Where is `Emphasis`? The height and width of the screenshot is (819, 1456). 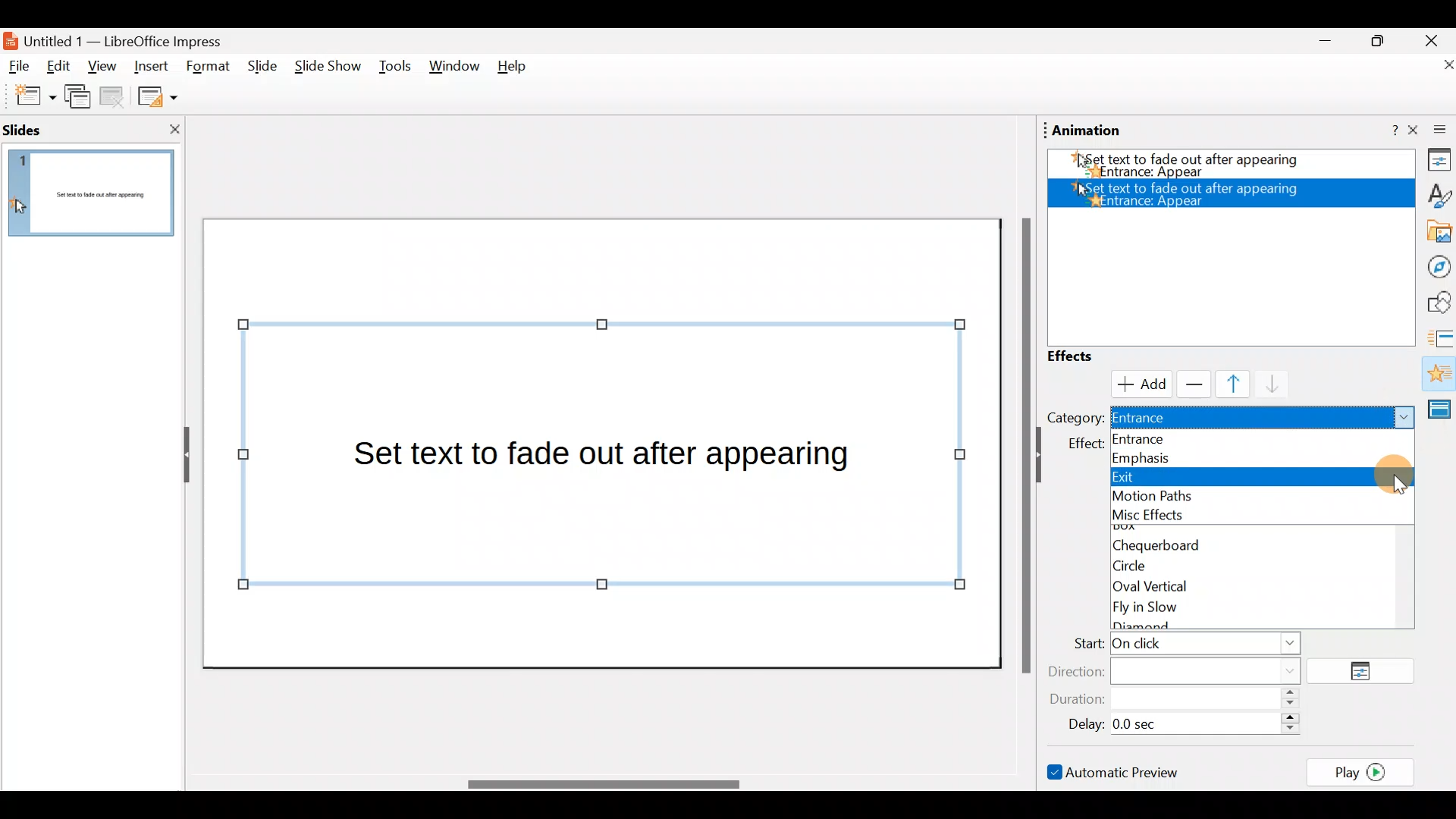 Emphasis is located at coordinates (1256, 458).